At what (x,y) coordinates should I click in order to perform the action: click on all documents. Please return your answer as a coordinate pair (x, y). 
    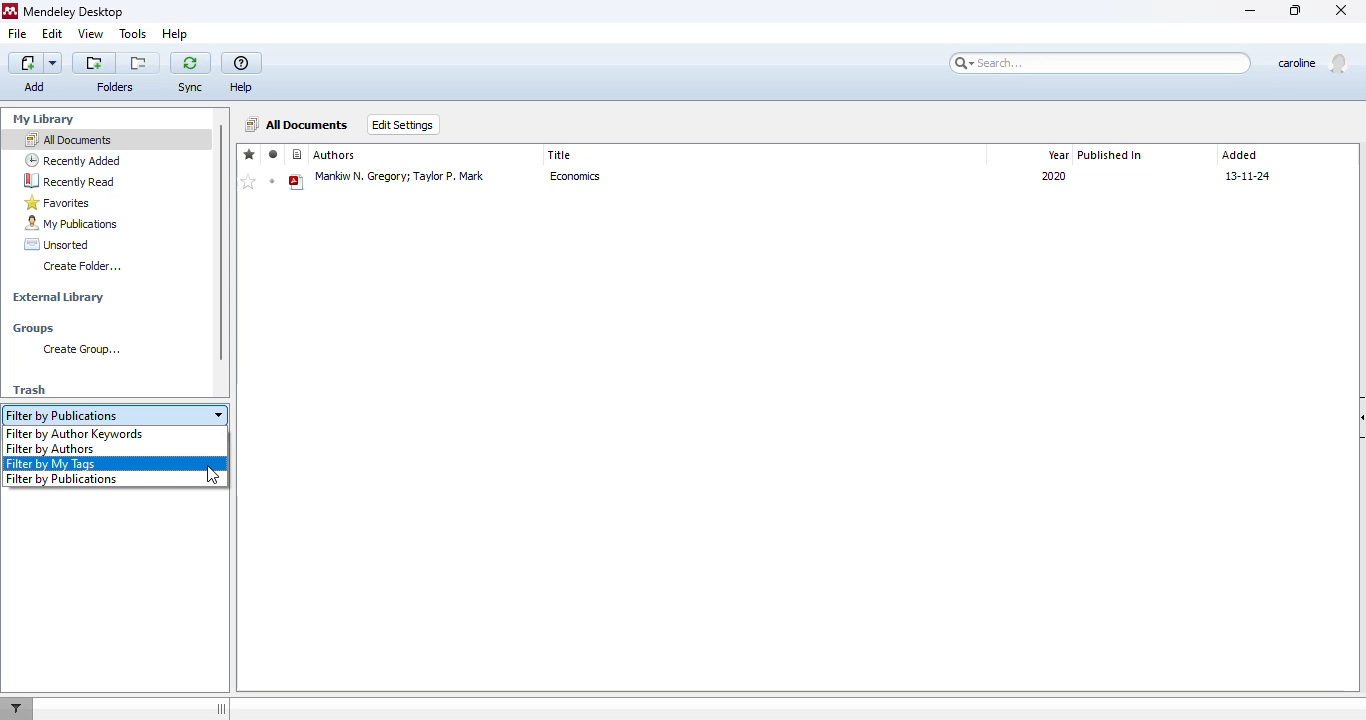
    Looking at the image, I should click on (68, 139).